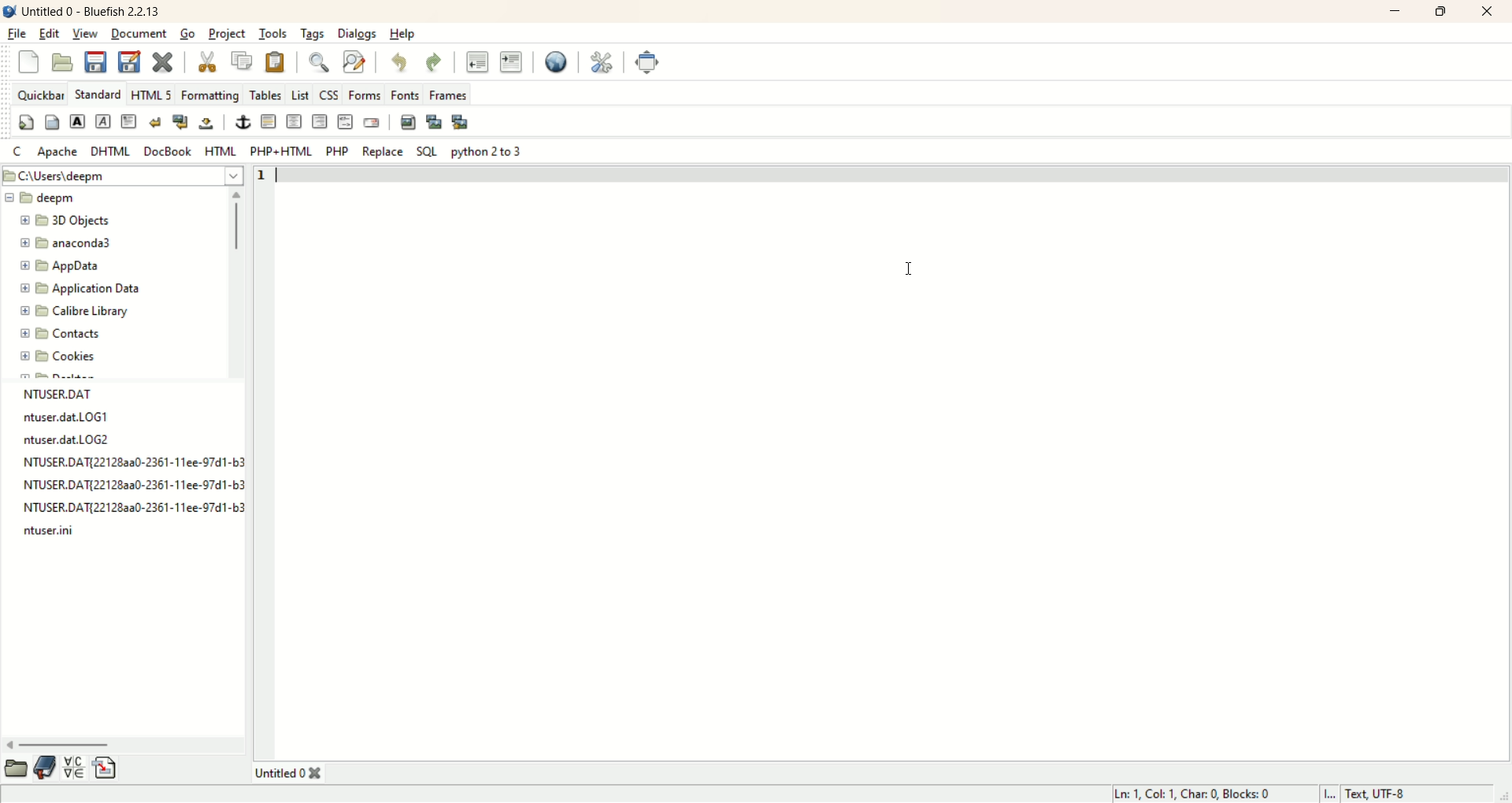  I want to click on tools, so click(272, 34).